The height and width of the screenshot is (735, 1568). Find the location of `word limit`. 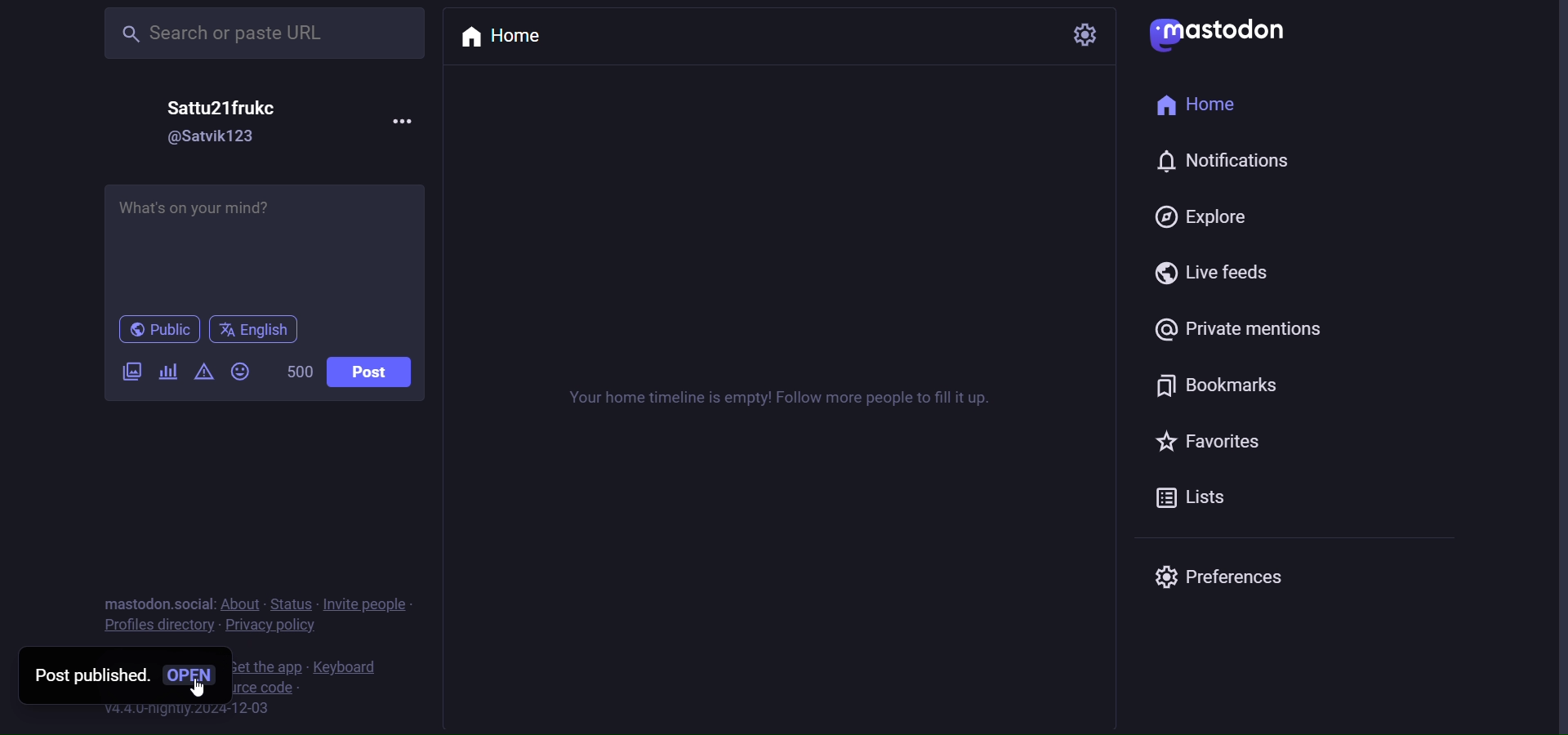

word limit is located at coordinates (300, 374).